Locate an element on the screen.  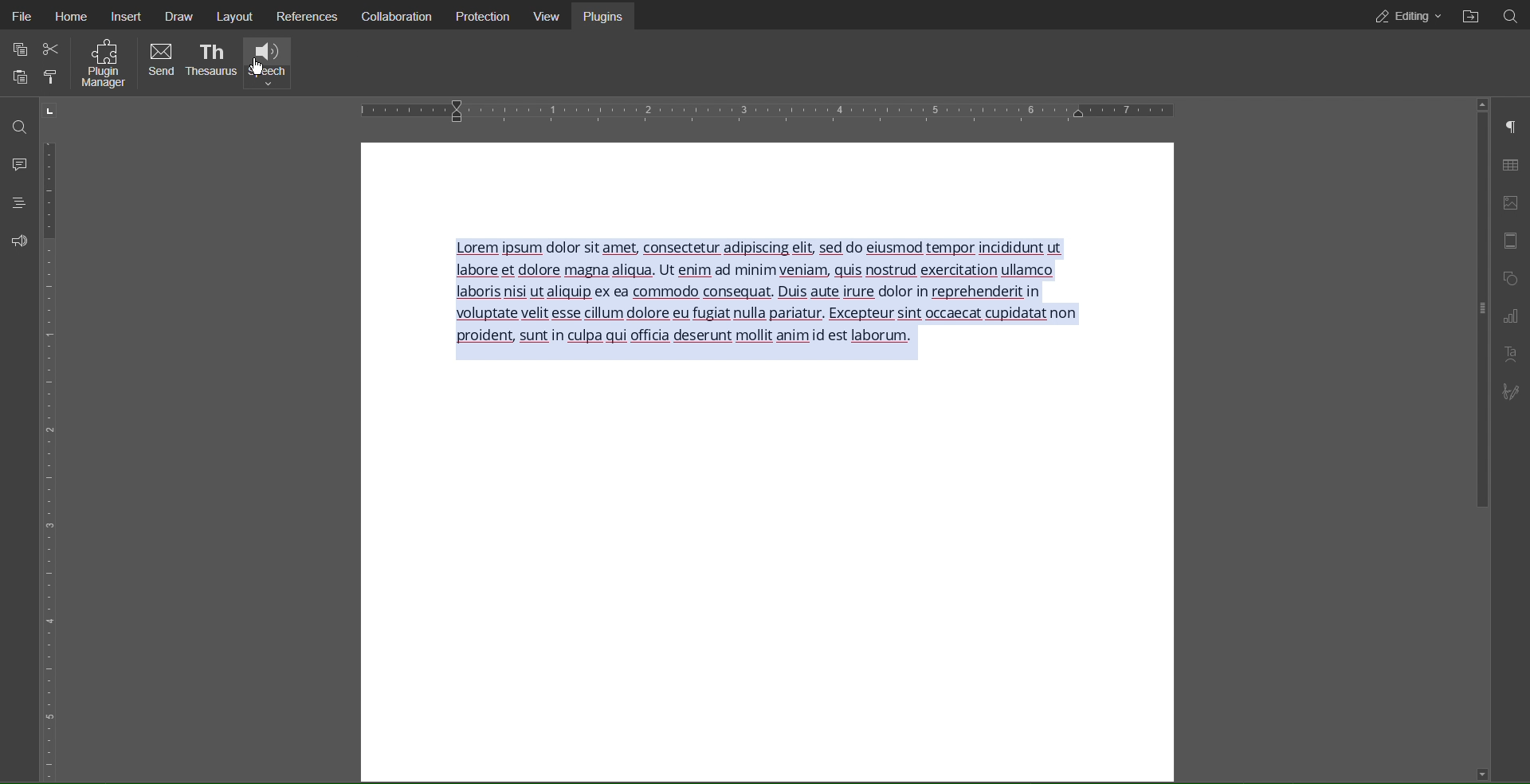
Open File Location is located at coordinates (1473, 15).